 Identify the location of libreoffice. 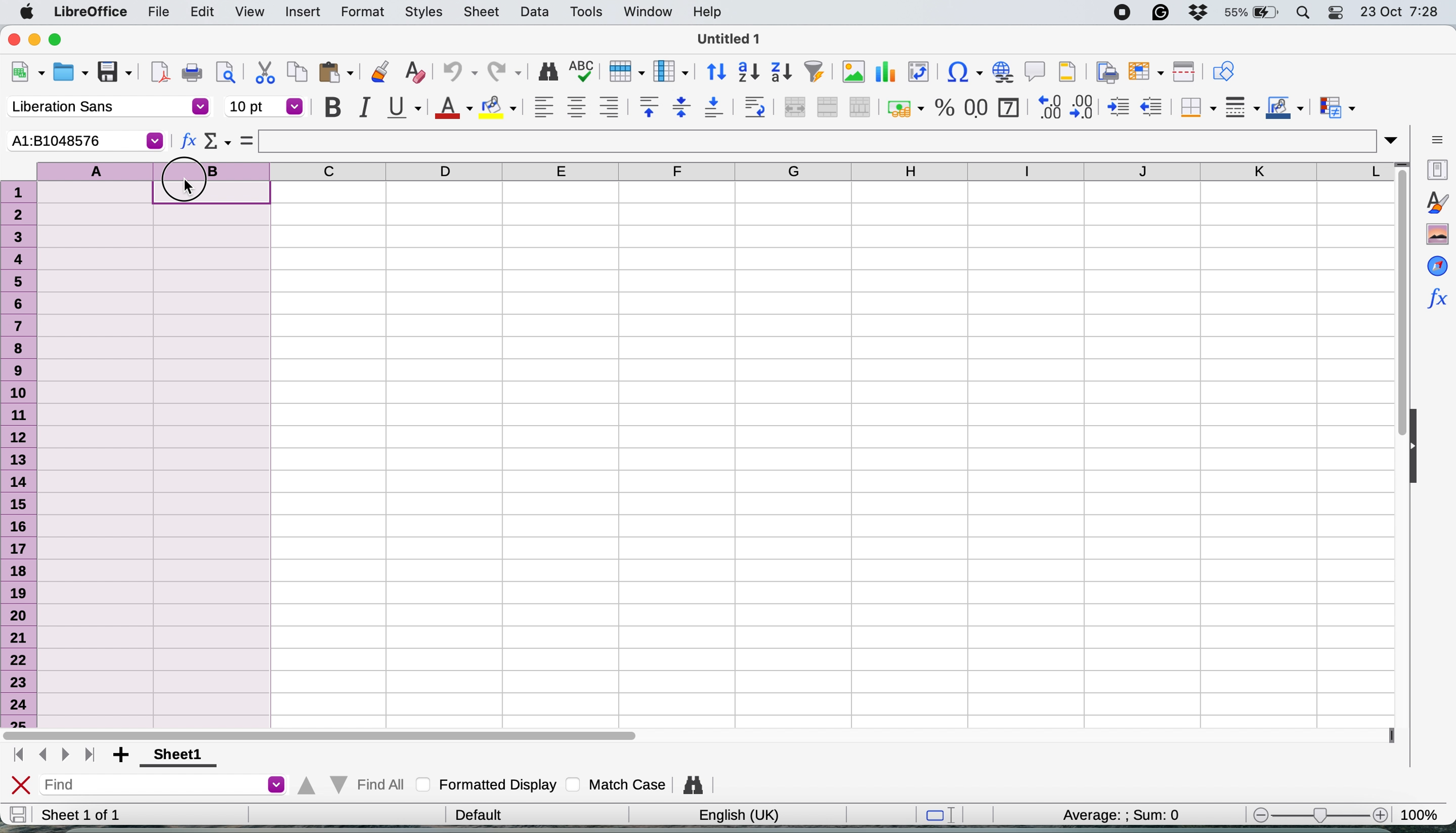
(92, 12).